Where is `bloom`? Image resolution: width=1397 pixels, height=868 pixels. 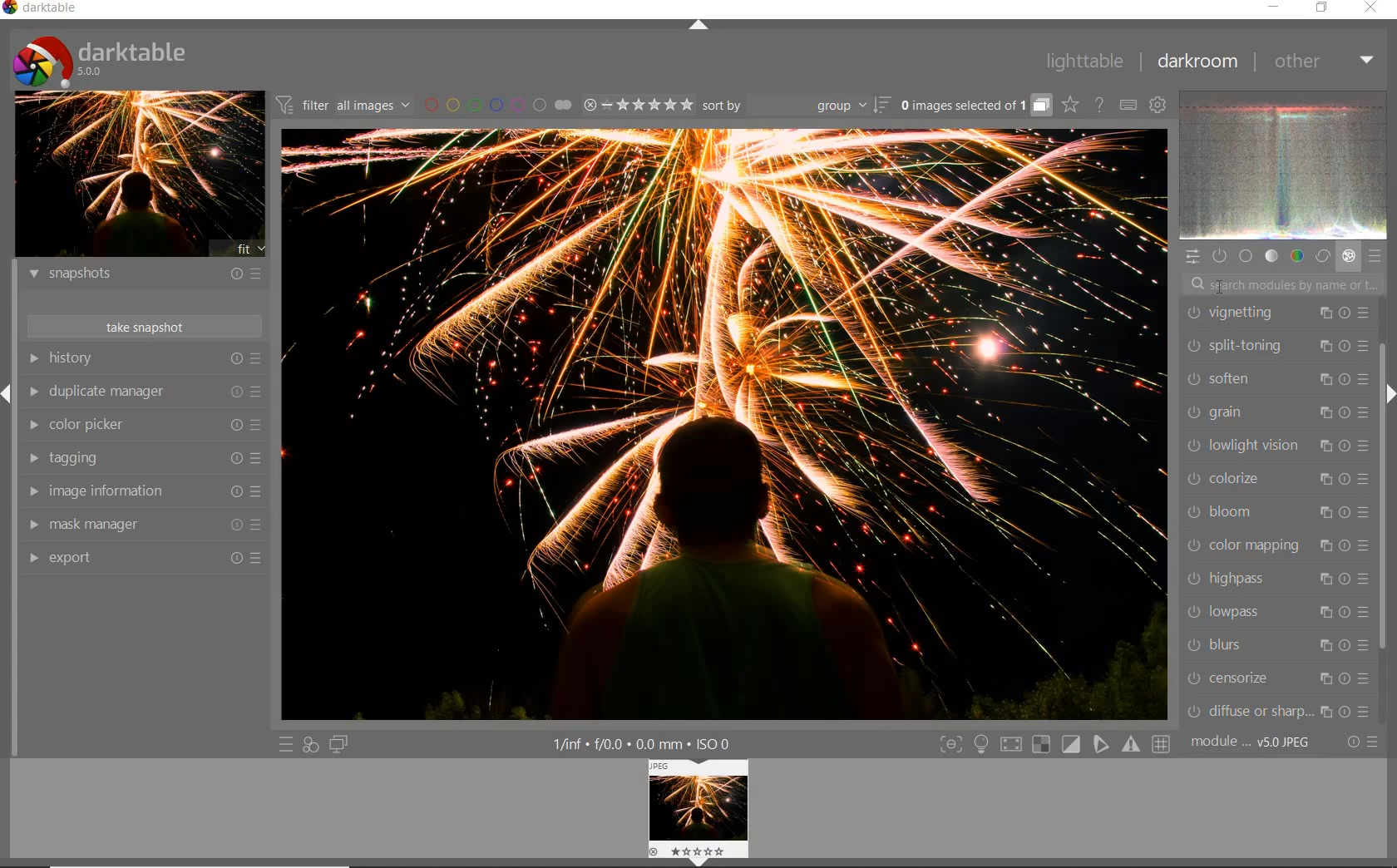
bloom is located at coordinates (1274, 512).